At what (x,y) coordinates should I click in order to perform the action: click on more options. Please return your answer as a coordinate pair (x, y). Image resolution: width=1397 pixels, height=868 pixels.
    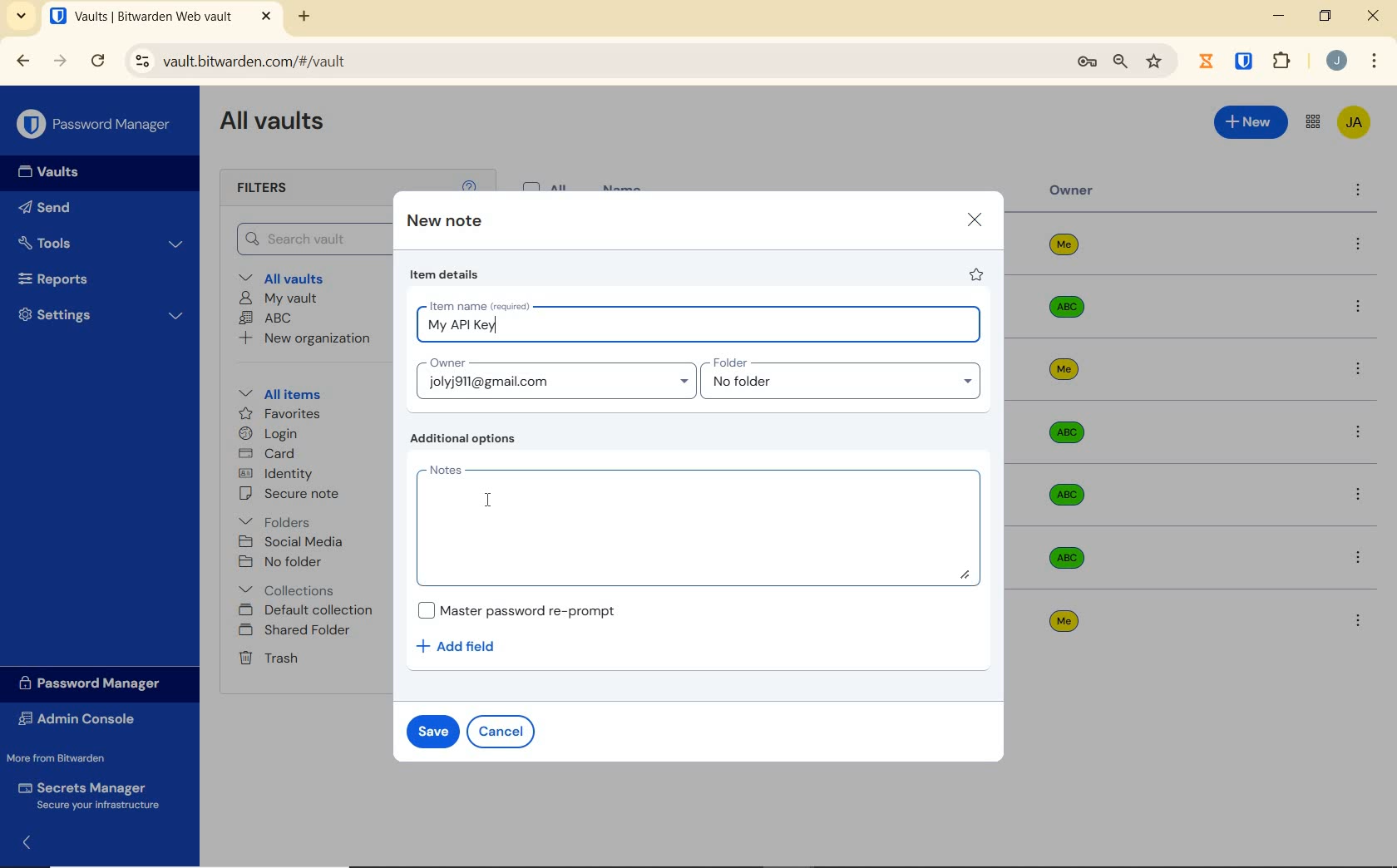
    Looking at the image, I should click on (1358, 620).